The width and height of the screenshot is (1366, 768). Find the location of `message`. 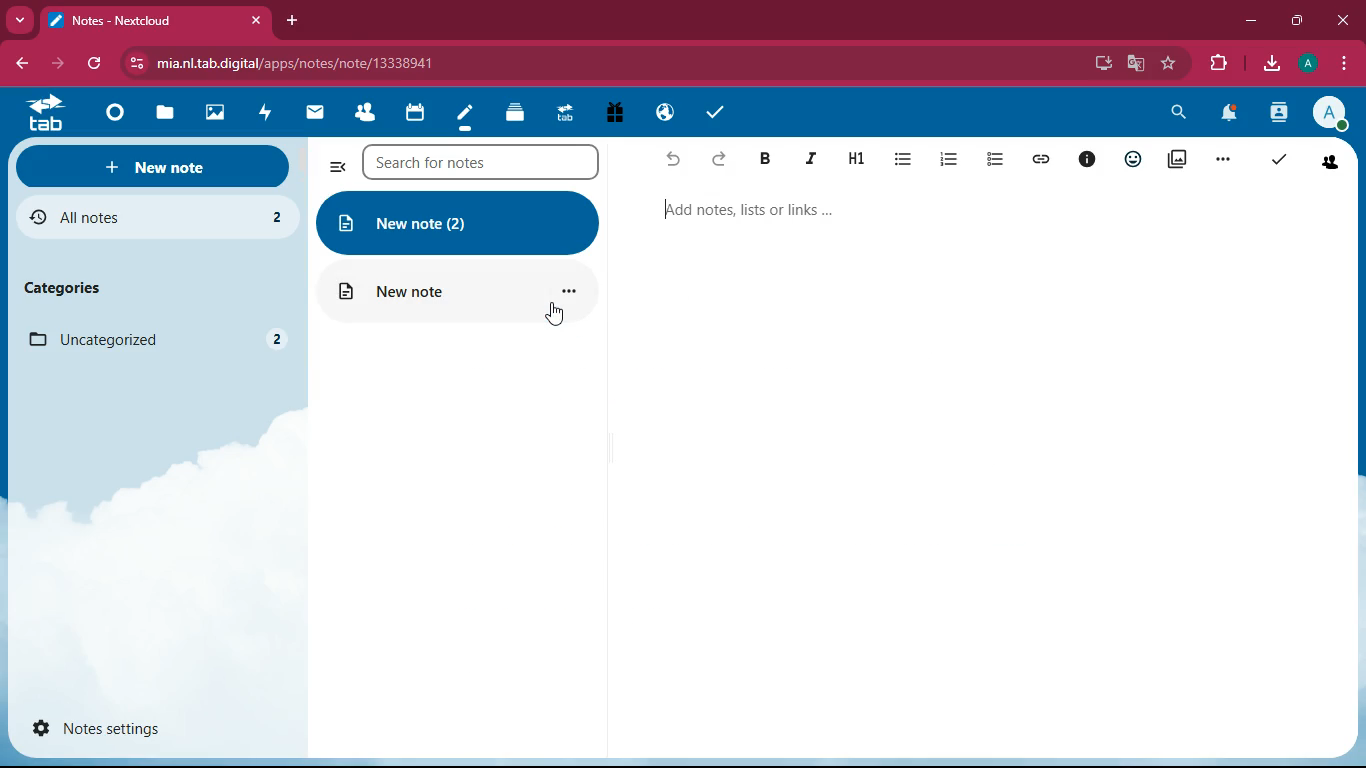

message is located at coordinates (318, 111).